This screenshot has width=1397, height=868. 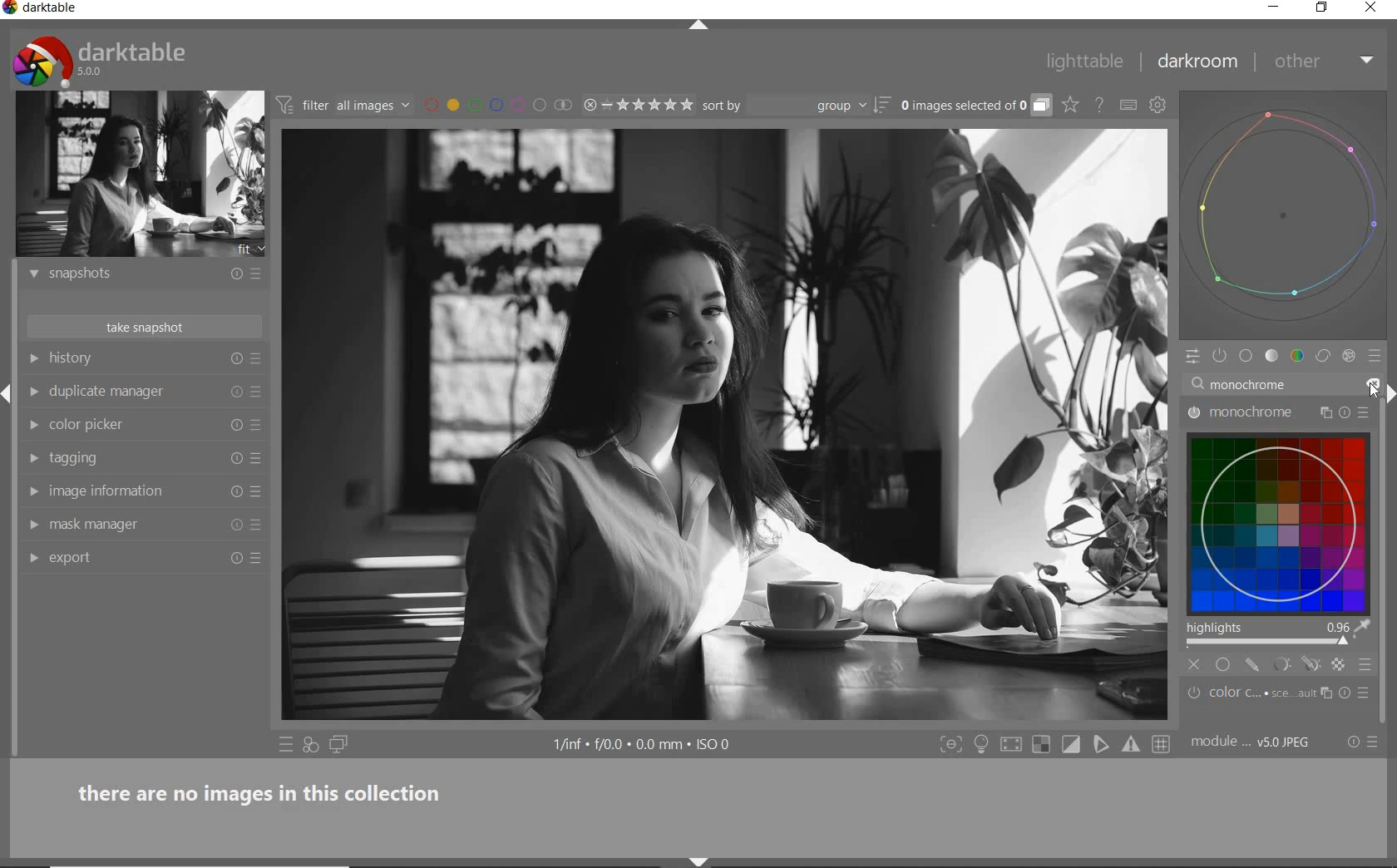 I want to click on Color C..., so click(x=1262, y=693).